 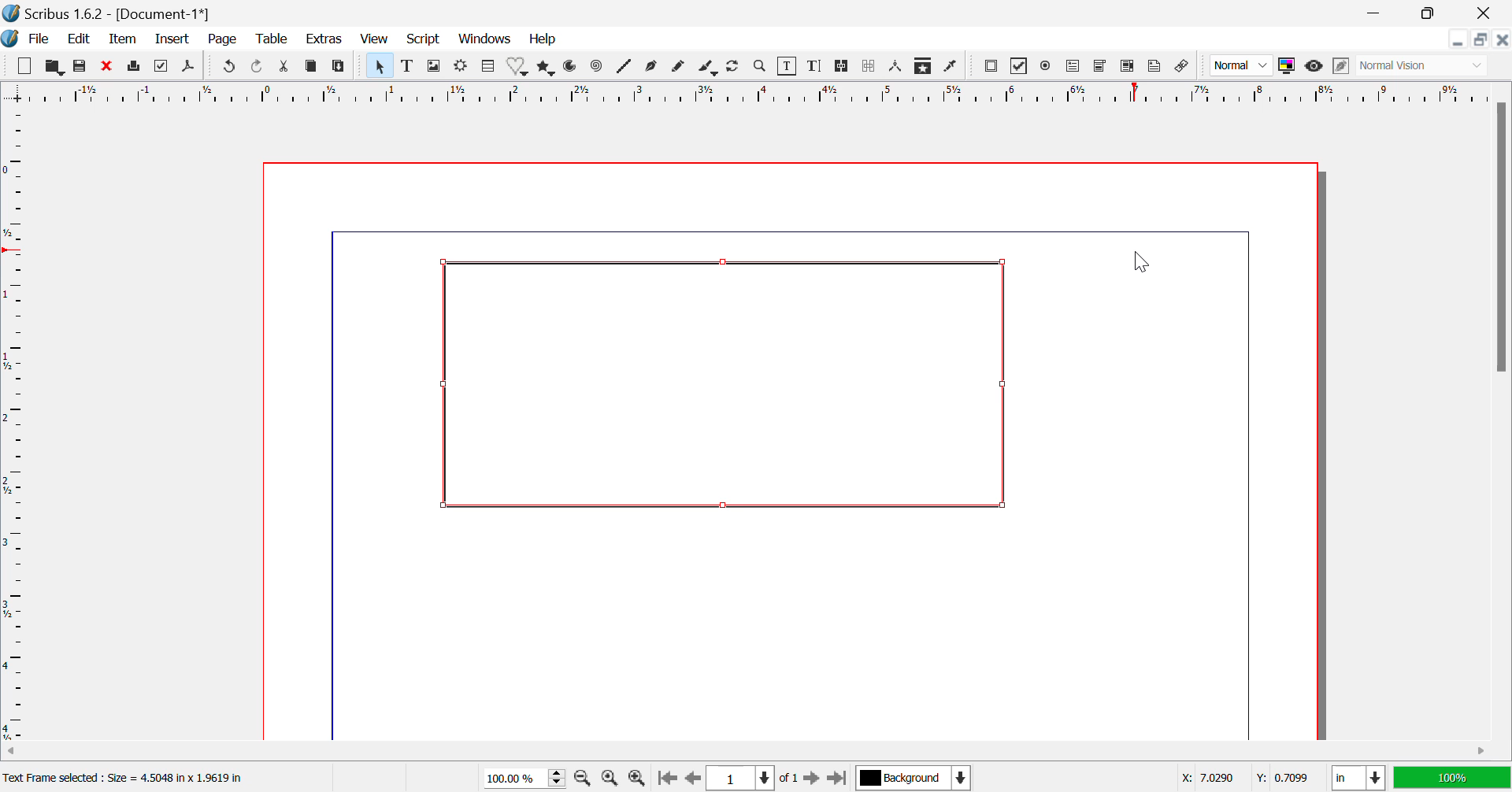 What do you see at coordinates (790, 66) in the screenshot?
I see `Edit Content in Frames` at bounding box center [790, 66].